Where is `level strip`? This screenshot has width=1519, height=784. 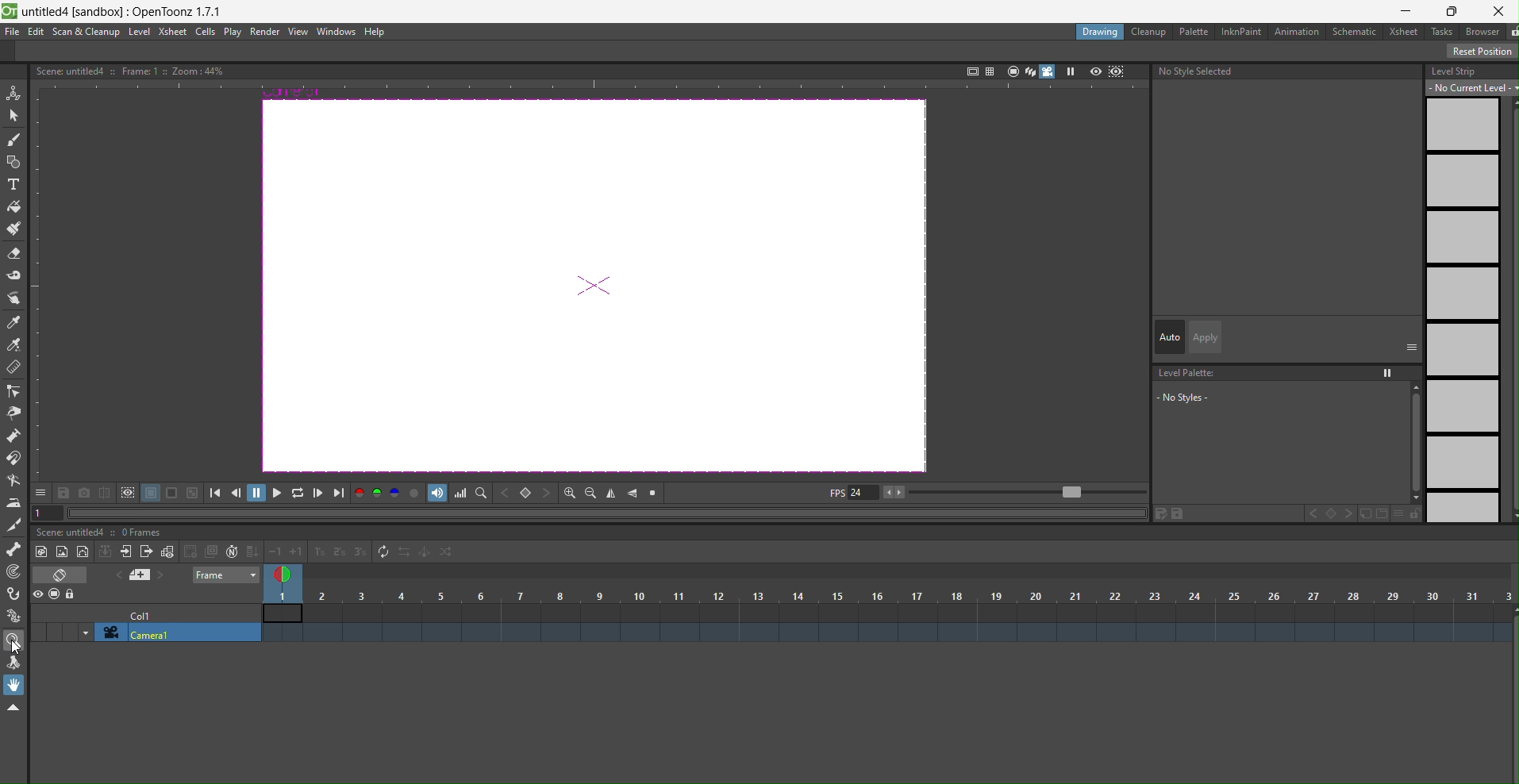 level strip is located at coordinates (1466, 294).